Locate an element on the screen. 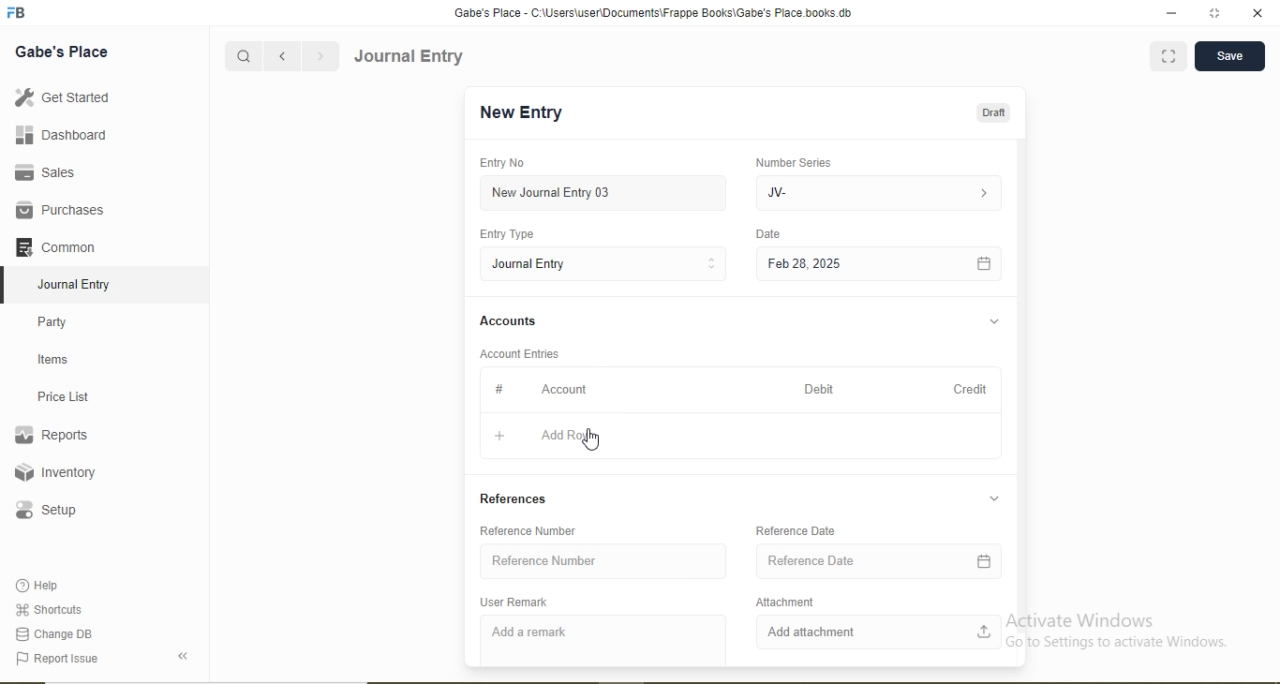 The width and height of the screenshot is (1280, 684). Journal Entry is located at coordinates (410, 56).